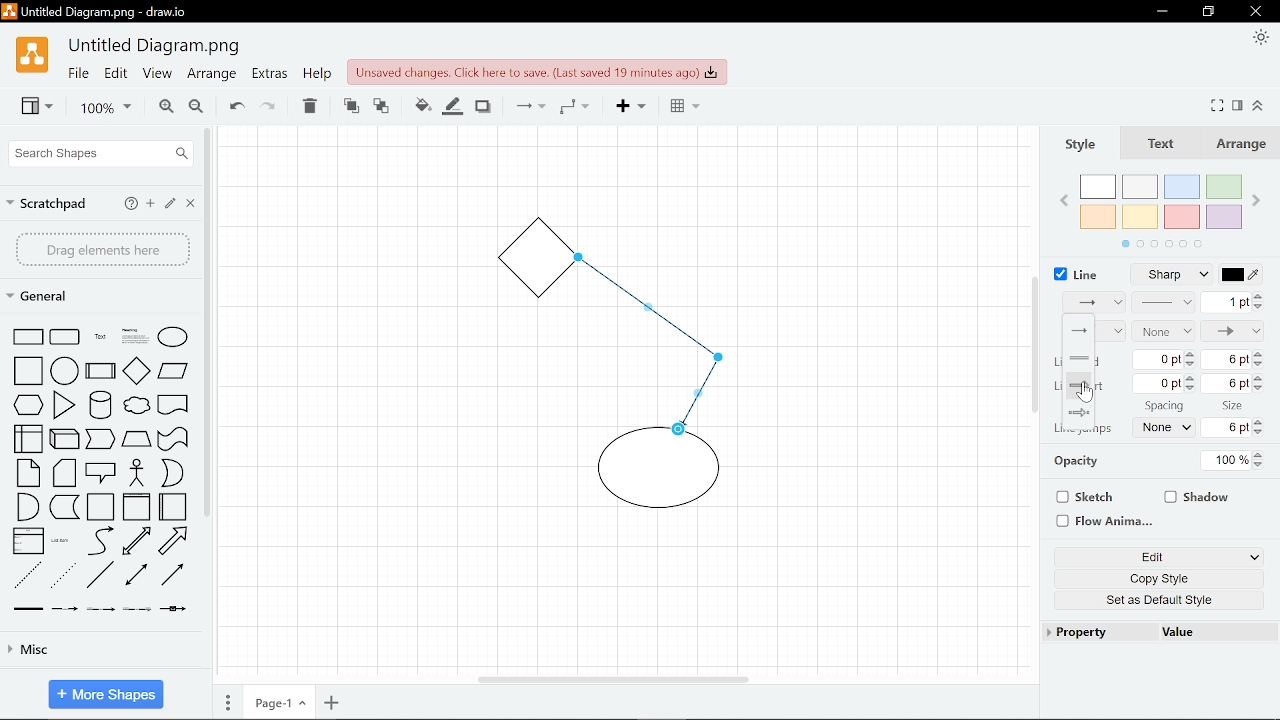 This screenshot has height=720, width=1280. Describe the element at coordinates (634, 380) in the screenshot. I see `Current  diagram` at that location.